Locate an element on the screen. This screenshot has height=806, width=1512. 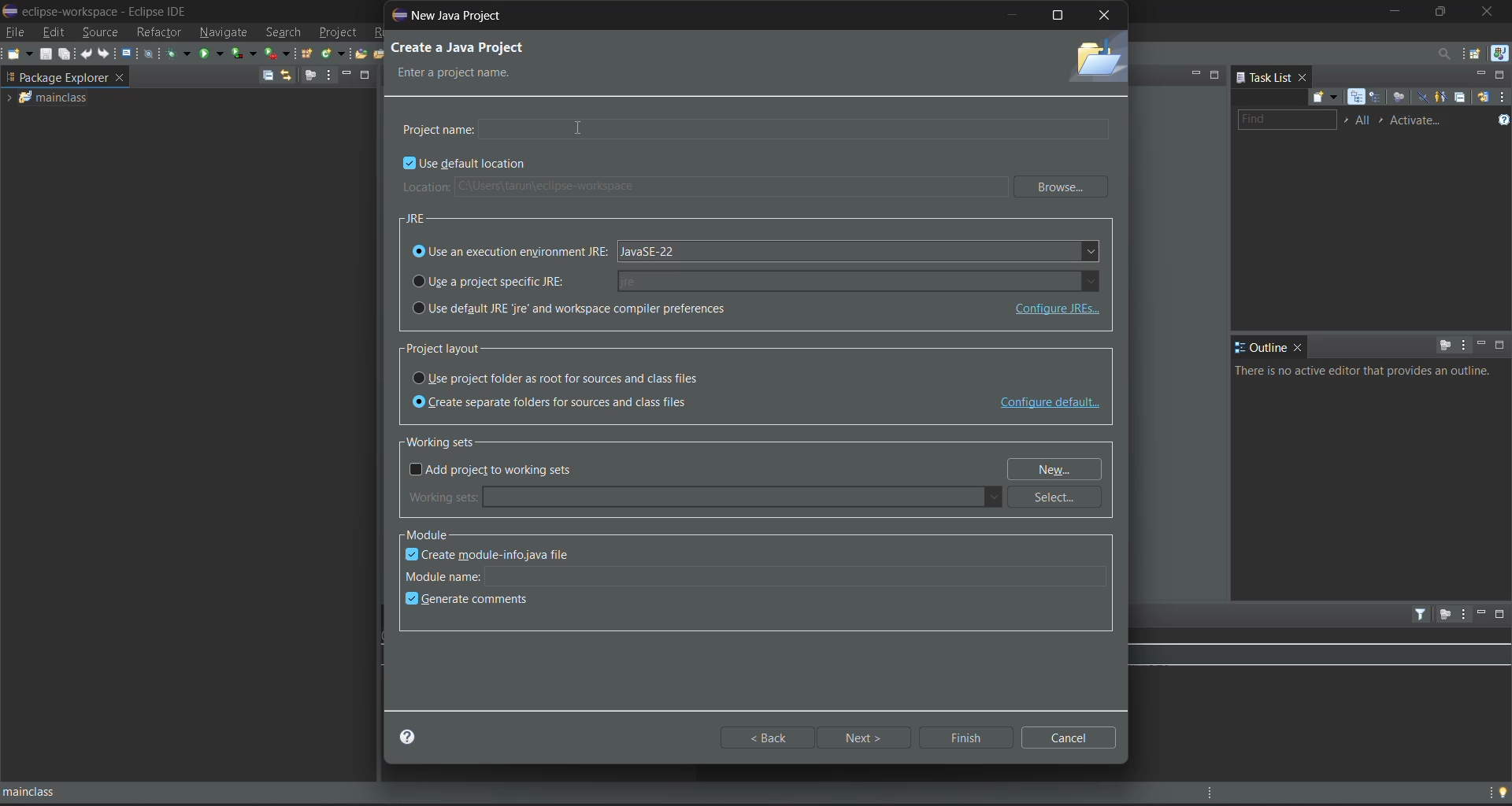
minimize is located at coordinates (1480, 612).